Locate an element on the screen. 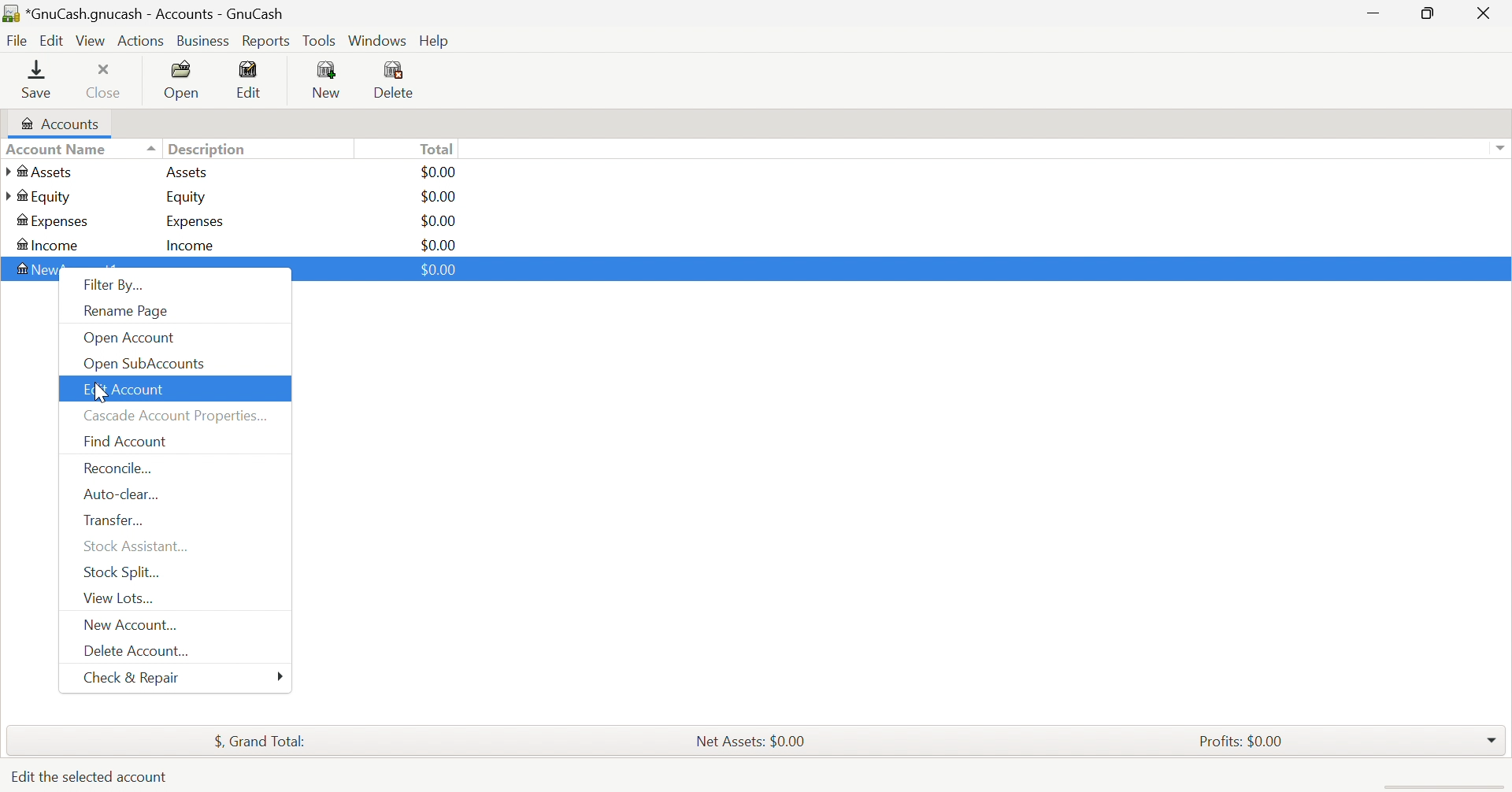  Windows is located at coordinates (376, 40).